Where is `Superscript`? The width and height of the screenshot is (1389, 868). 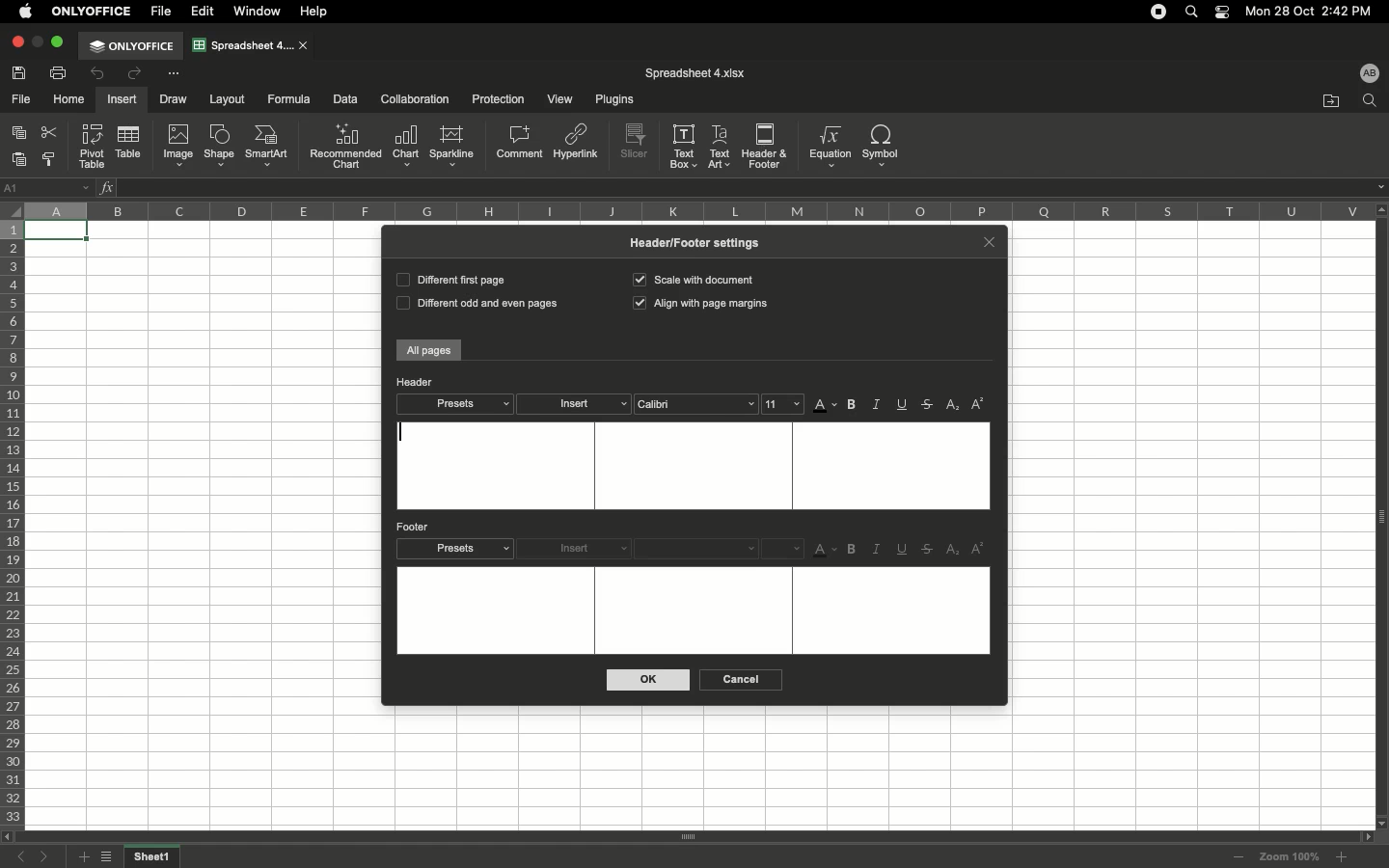 Superscript is located at coordinates (978, 404).